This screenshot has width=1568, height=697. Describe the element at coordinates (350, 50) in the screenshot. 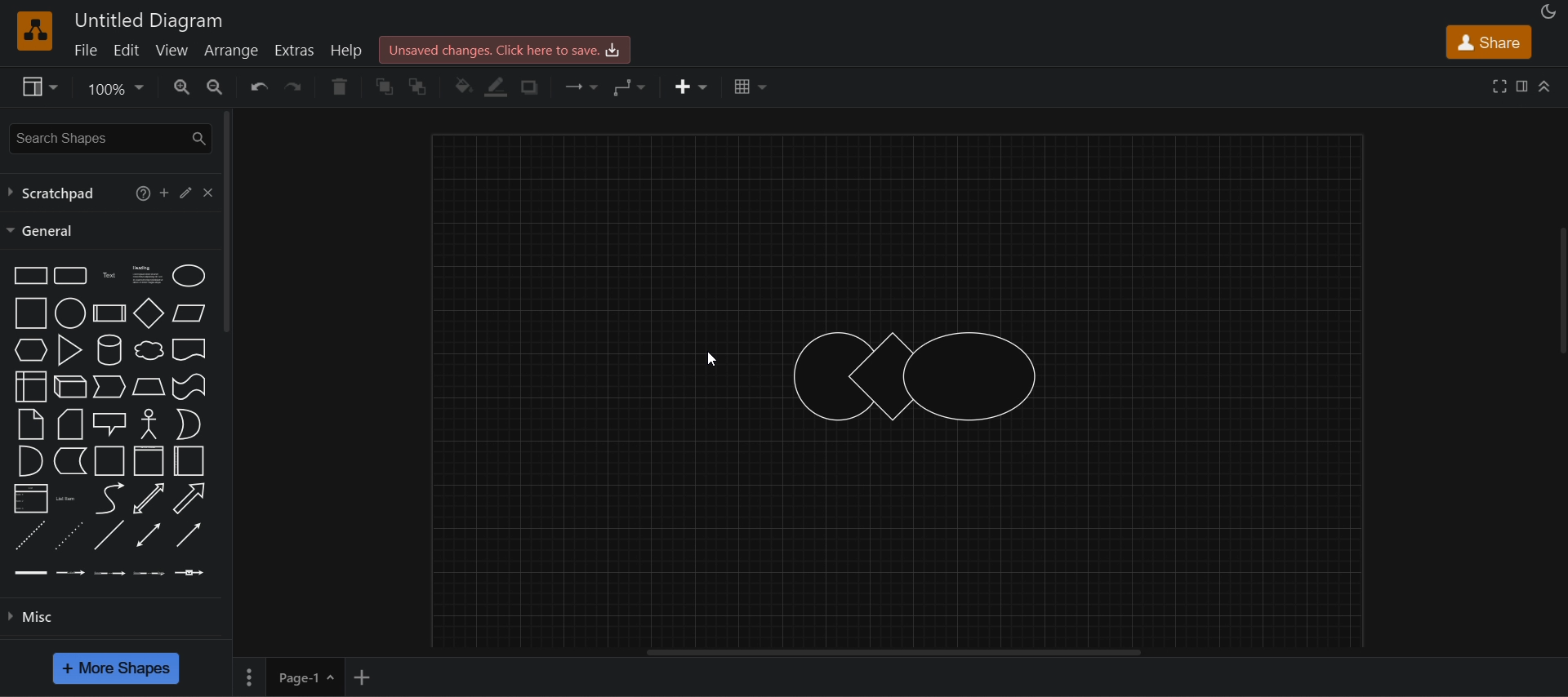

I see `help` at that location.